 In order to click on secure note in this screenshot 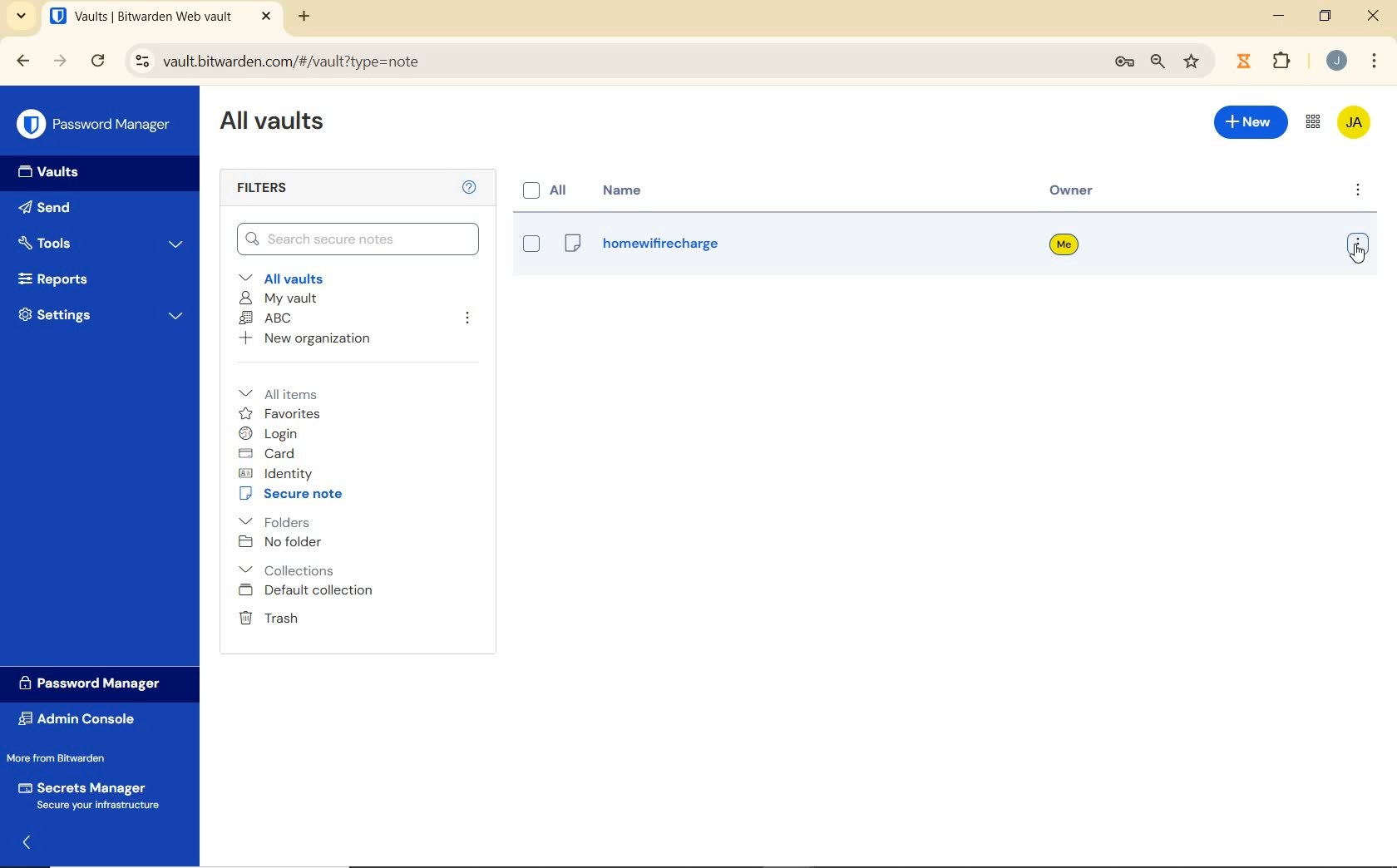, I will do `click(294, 494)`.